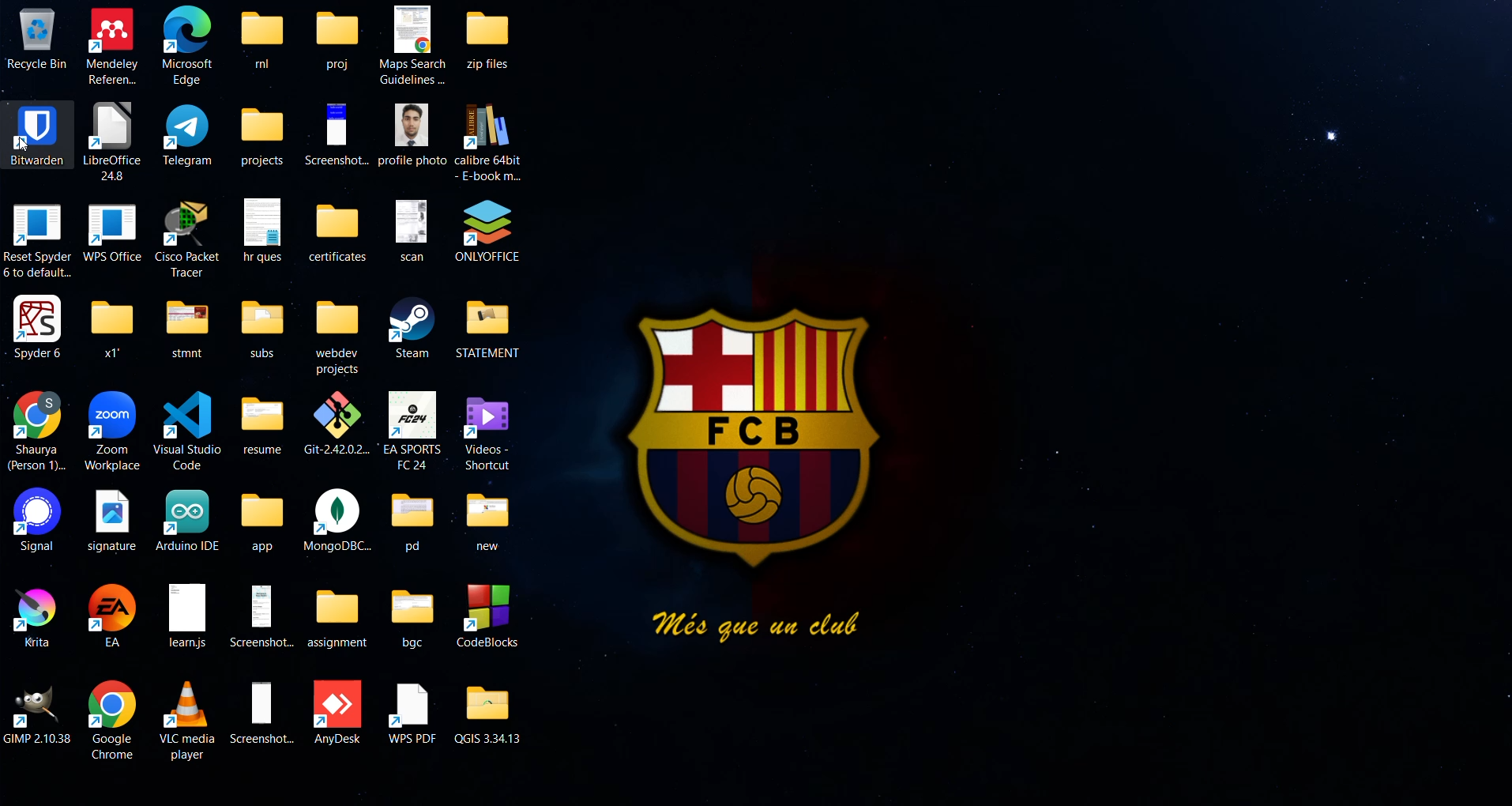 The width and height of the screenshot is (1512, 806). Describe the element at coordinates (32, 521) in the screenshot. I see `Signal` at that location.